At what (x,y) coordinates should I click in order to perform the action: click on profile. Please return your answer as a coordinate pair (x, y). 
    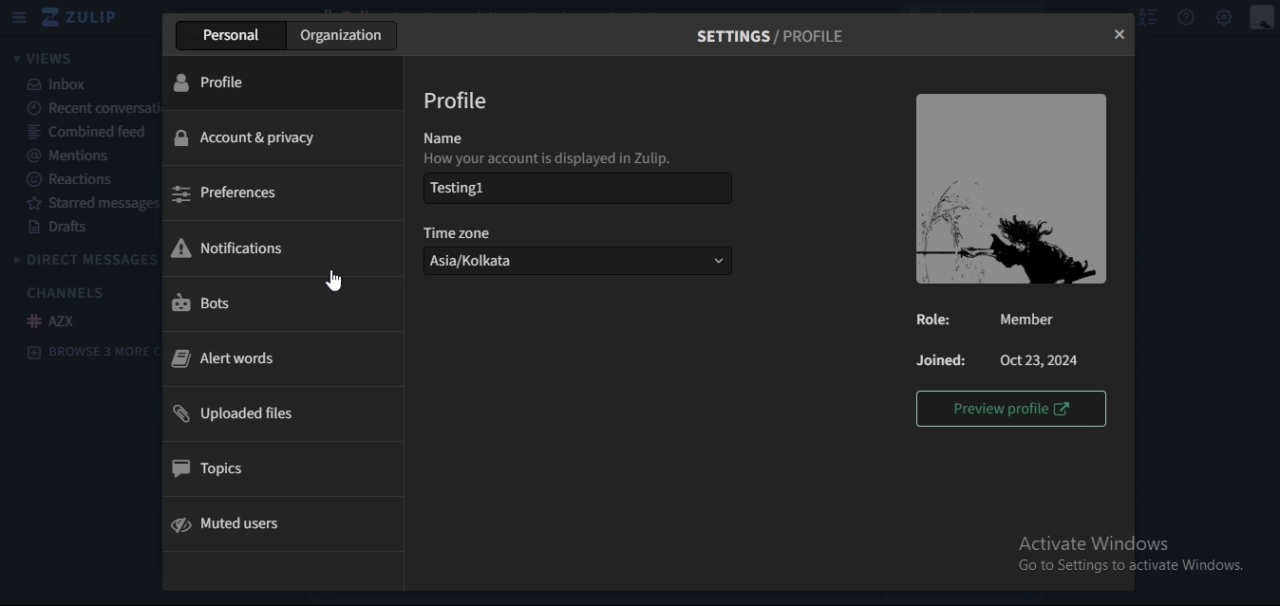
    Looking at the image, I should click on (209, 83).